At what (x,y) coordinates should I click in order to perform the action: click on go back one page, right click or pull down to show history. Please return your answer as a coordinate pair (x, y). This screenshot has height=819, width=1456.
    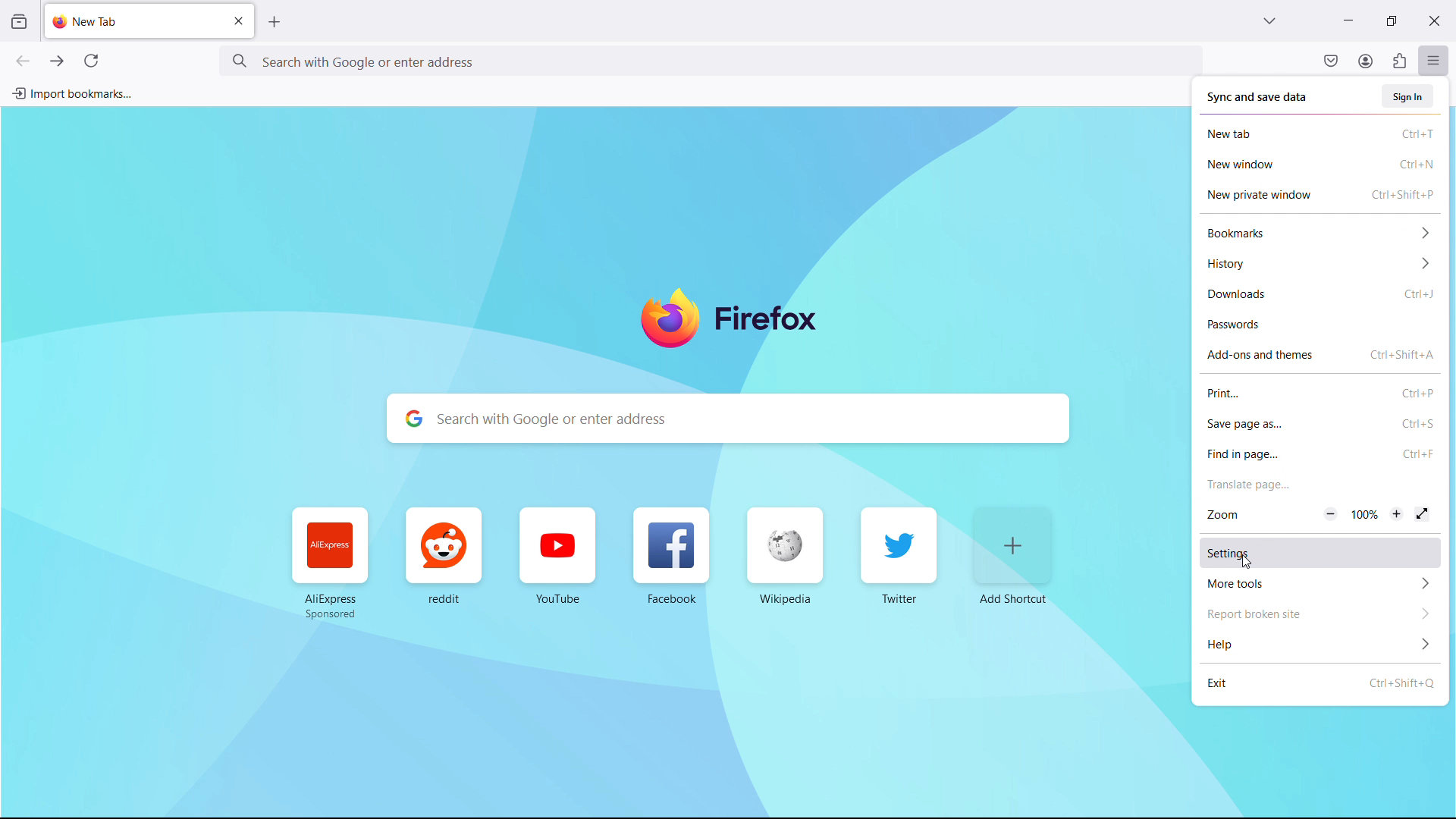
    Looking at the image, I should click on (22, 61).